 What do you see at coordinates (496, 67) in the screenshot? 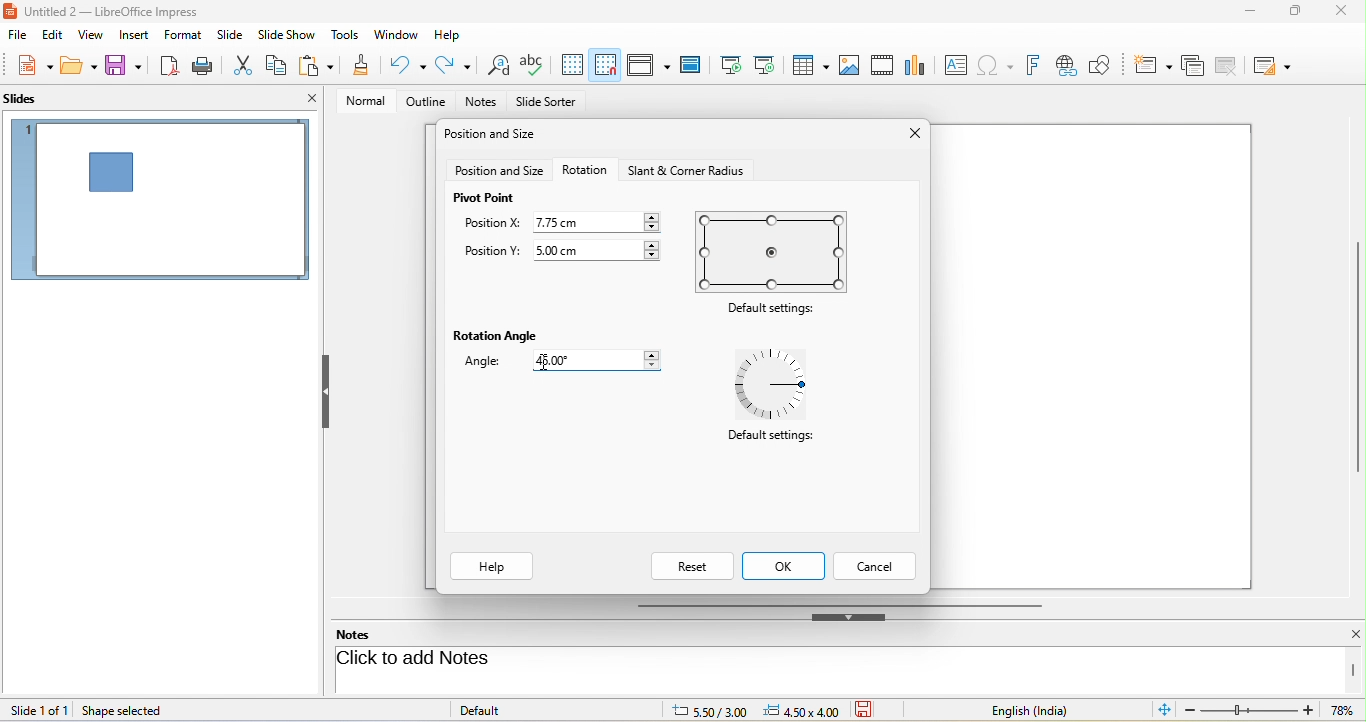
I see `find and replace` at bounding box center [496, 67].